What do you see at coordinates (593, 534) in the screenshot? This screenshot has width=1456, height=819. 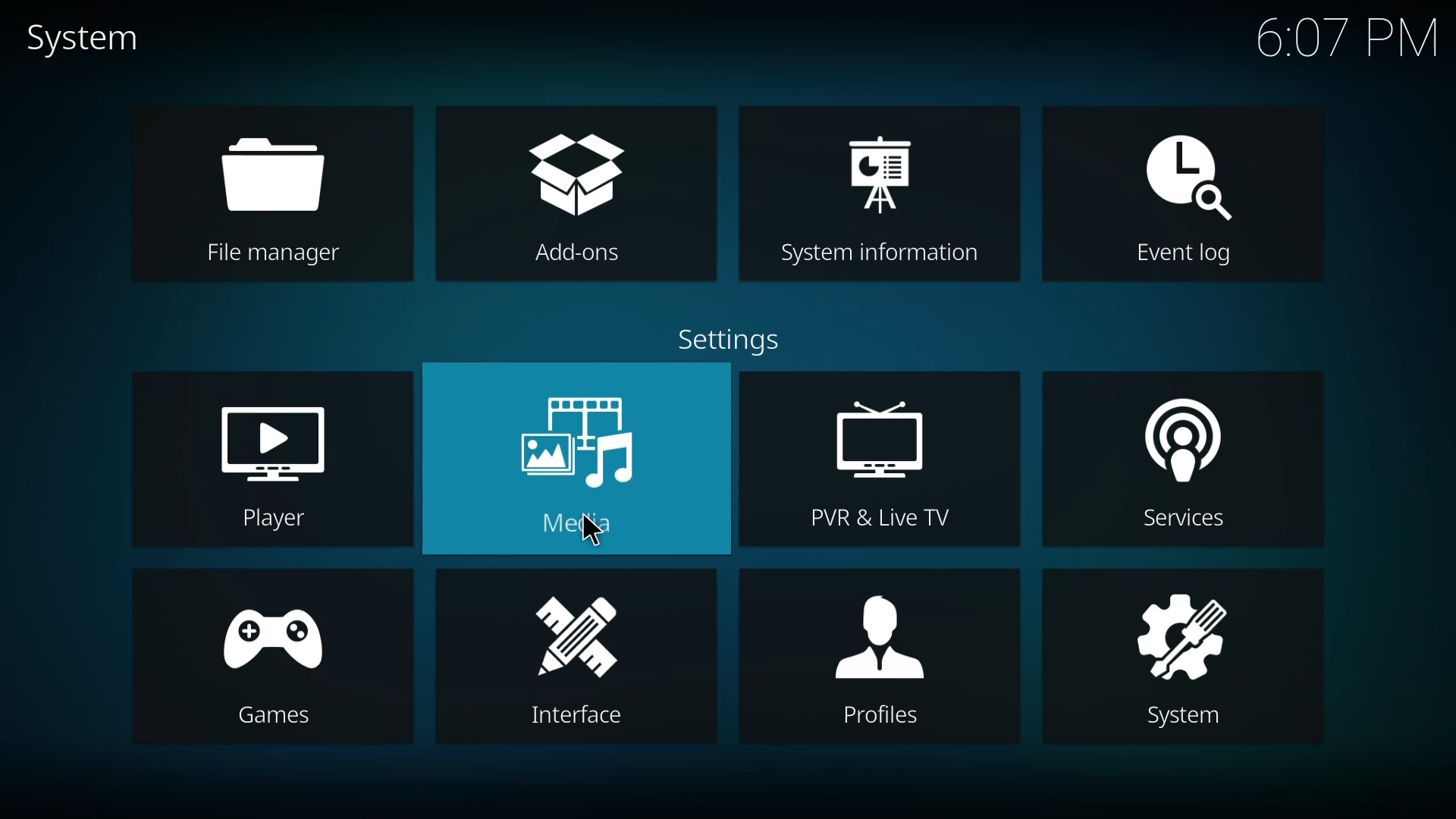 I see `cursor` at bounding box center [593, 534].